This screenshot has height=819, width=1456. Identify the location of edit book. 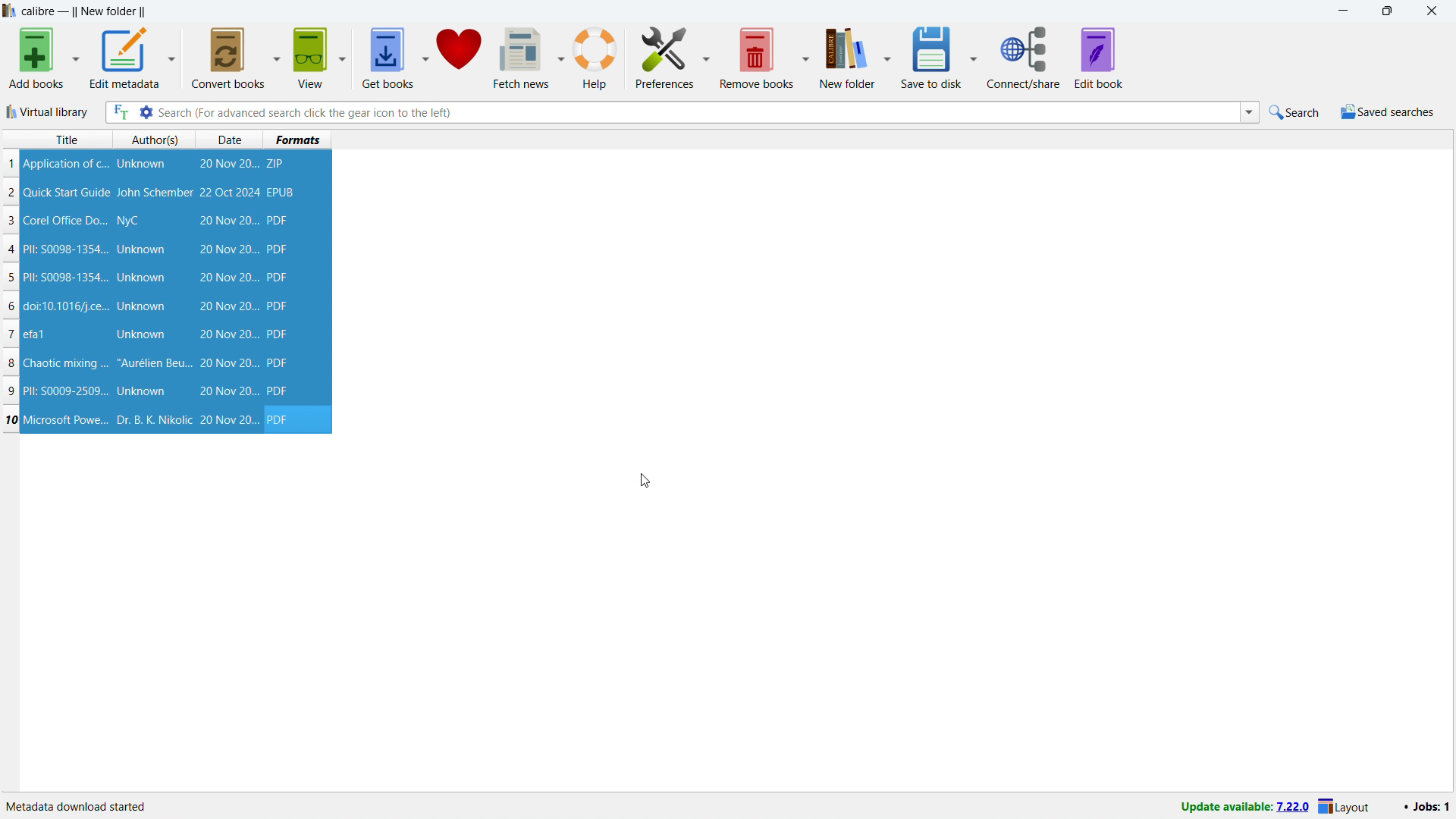
(1100, 58).